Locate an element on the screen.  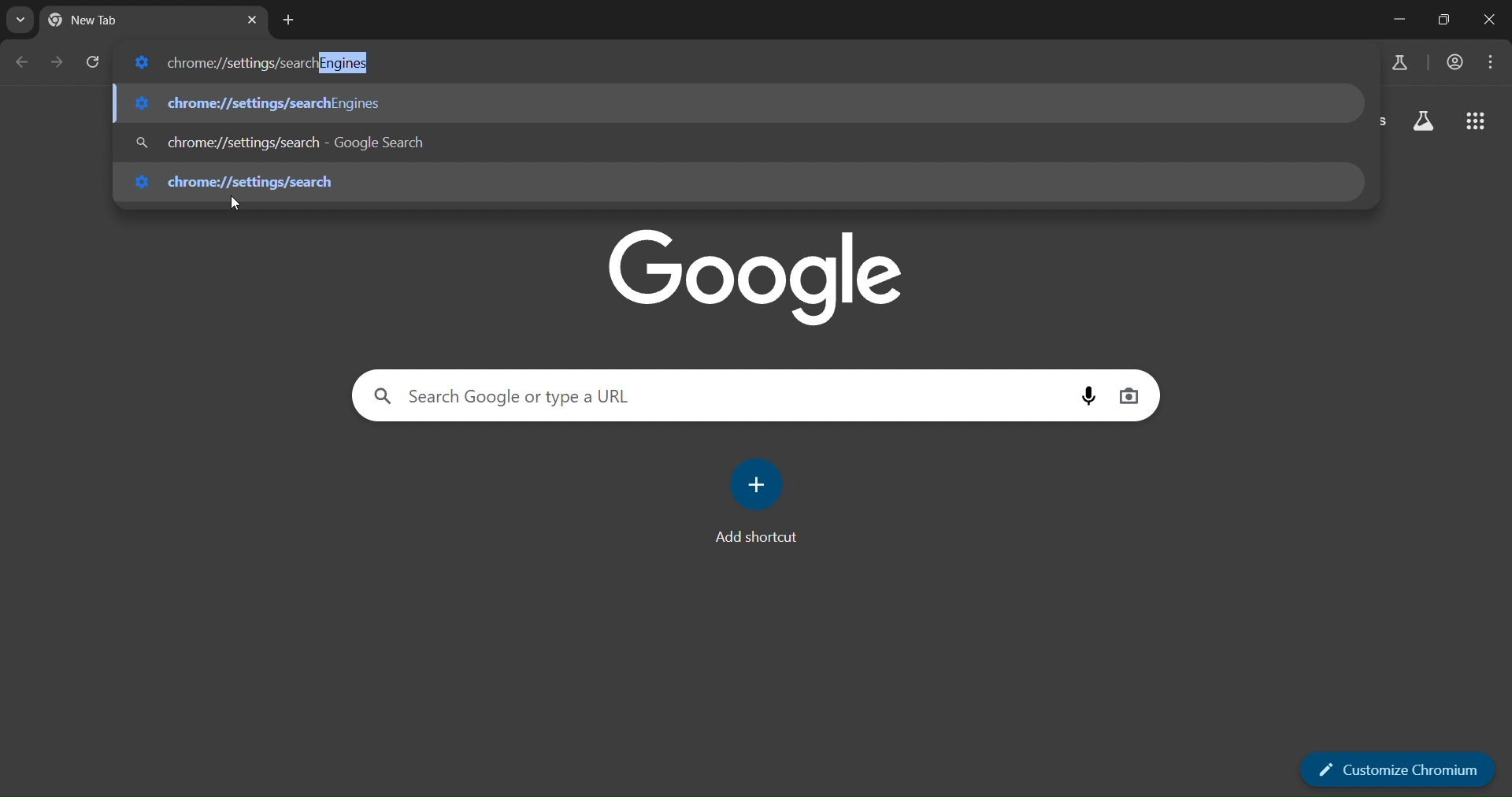
voice search is located at coordinates (1090, 395).